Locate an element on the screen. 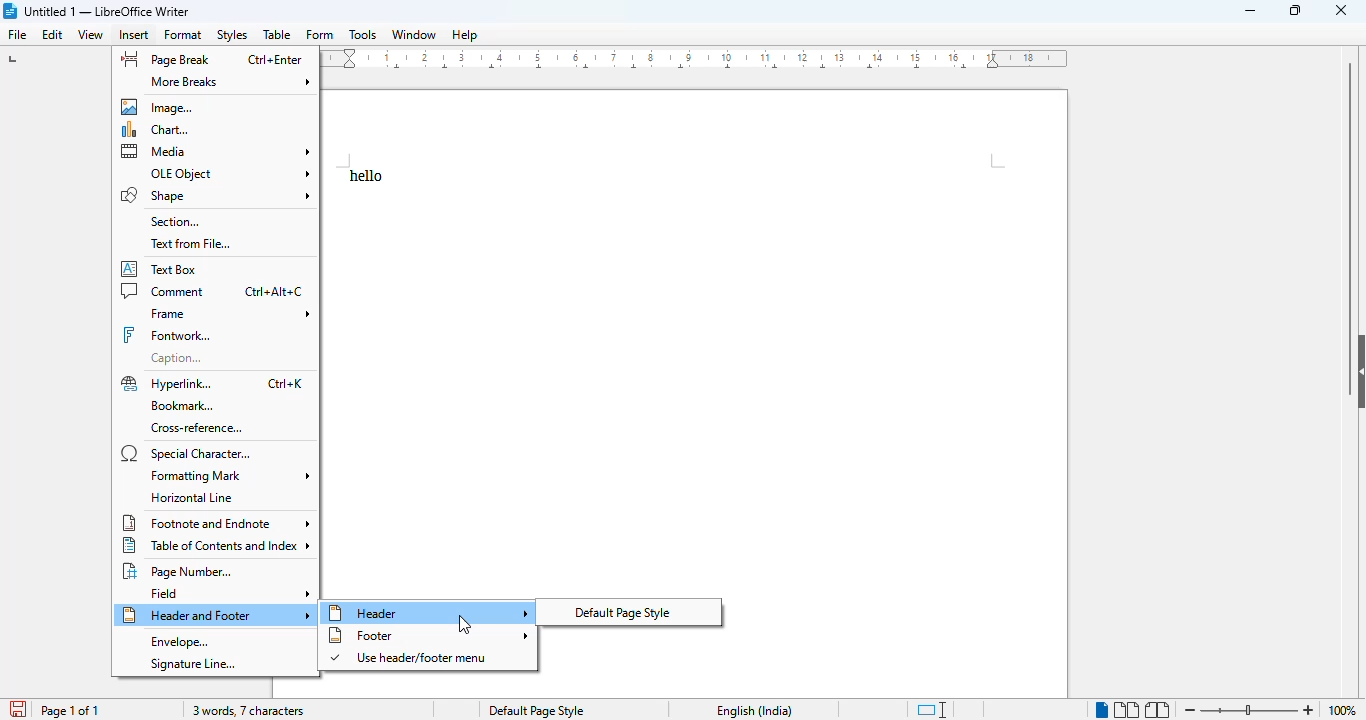 The image size is (1366, 720). format is located at coordinates (183, 35).